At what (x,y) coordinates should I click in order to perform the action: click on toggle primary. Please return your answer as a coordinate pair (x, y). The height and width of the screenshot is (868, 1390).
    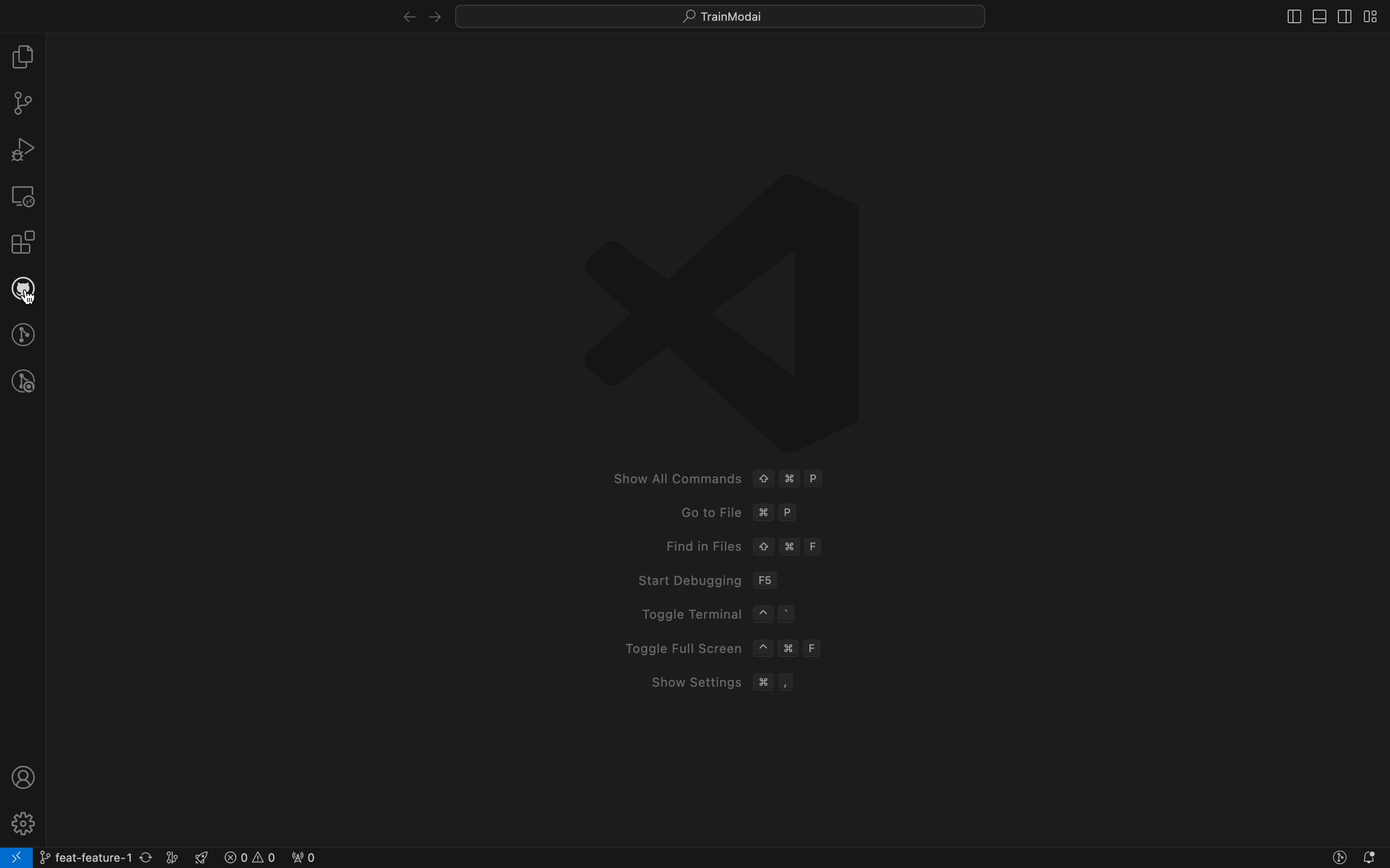
    Looking at the image, I should click on (1320, 14).